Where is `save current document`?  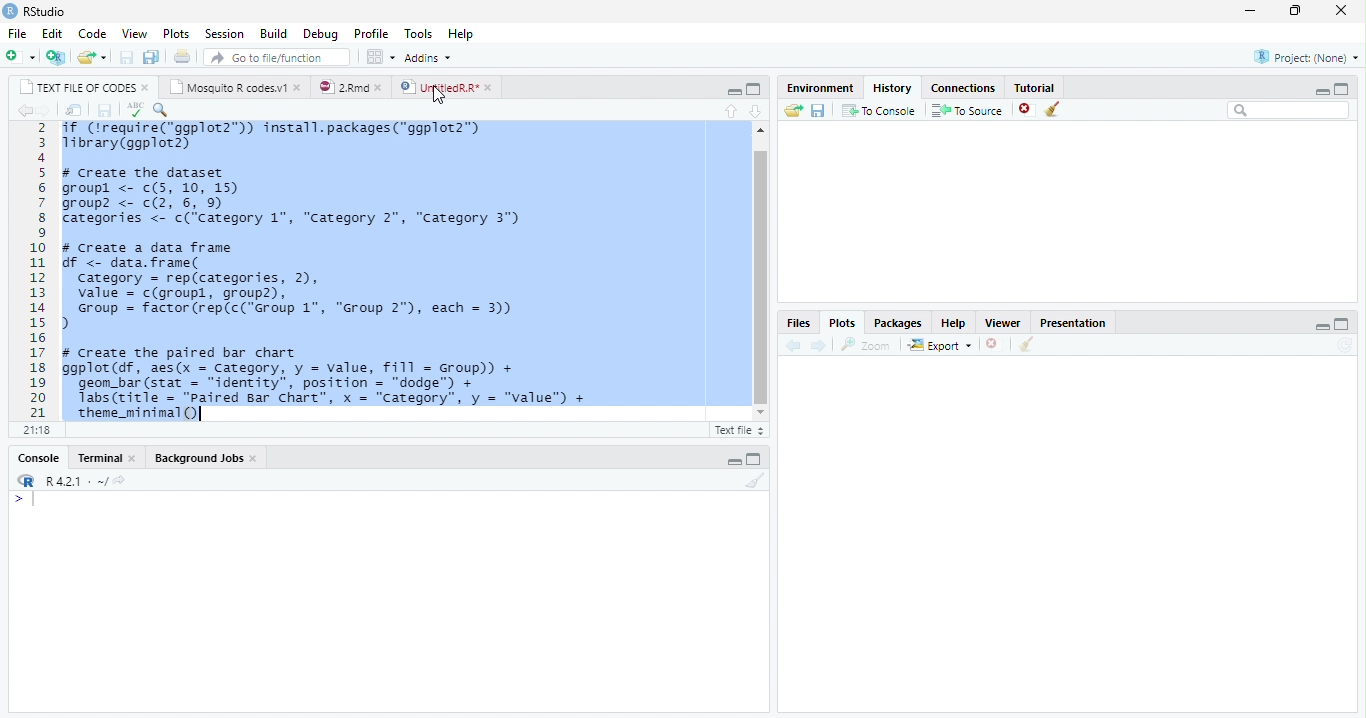
save current document is located at coordinates (126, 57).